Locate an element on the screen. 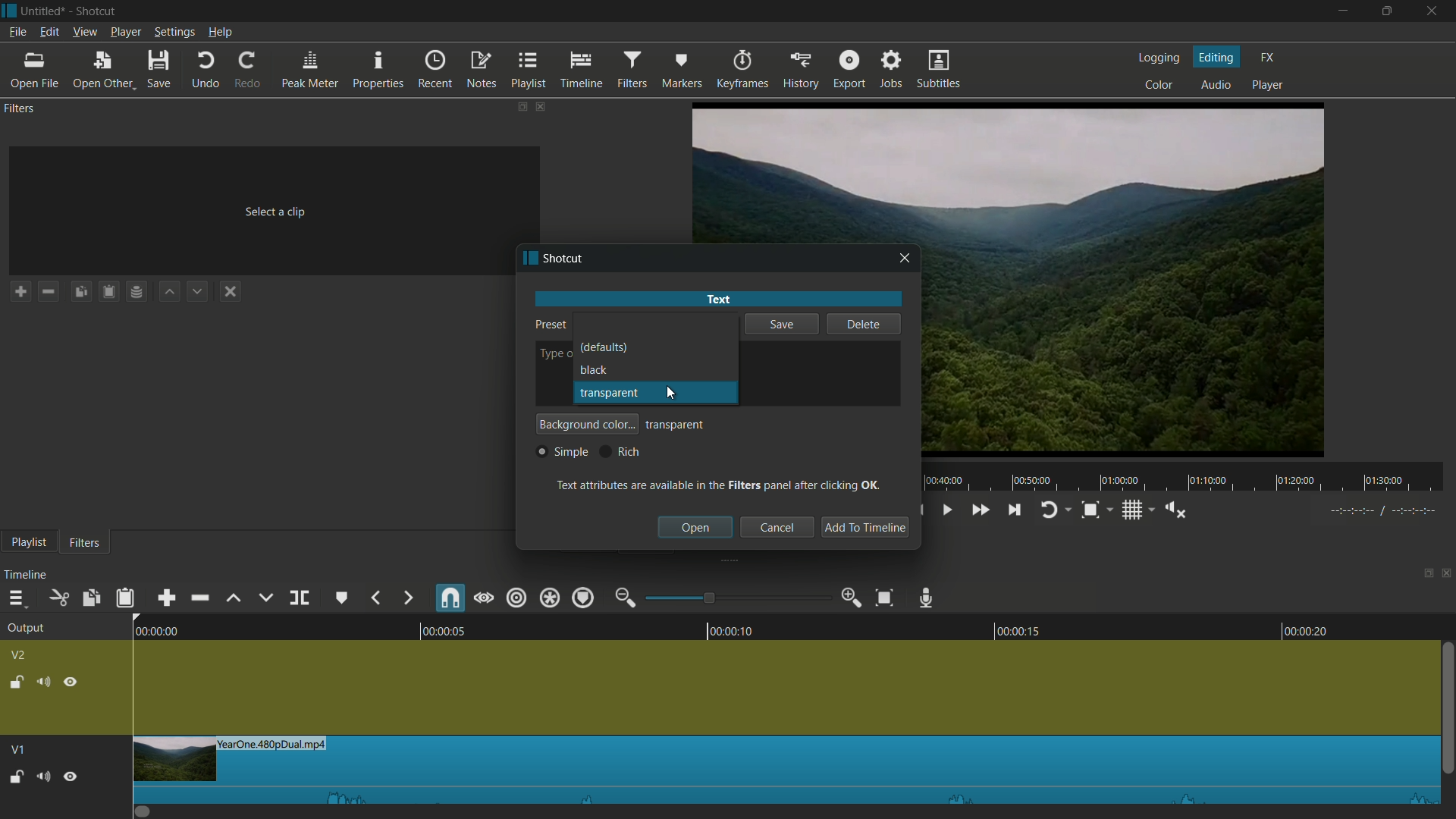  player is located at coordinates (1268, 86).